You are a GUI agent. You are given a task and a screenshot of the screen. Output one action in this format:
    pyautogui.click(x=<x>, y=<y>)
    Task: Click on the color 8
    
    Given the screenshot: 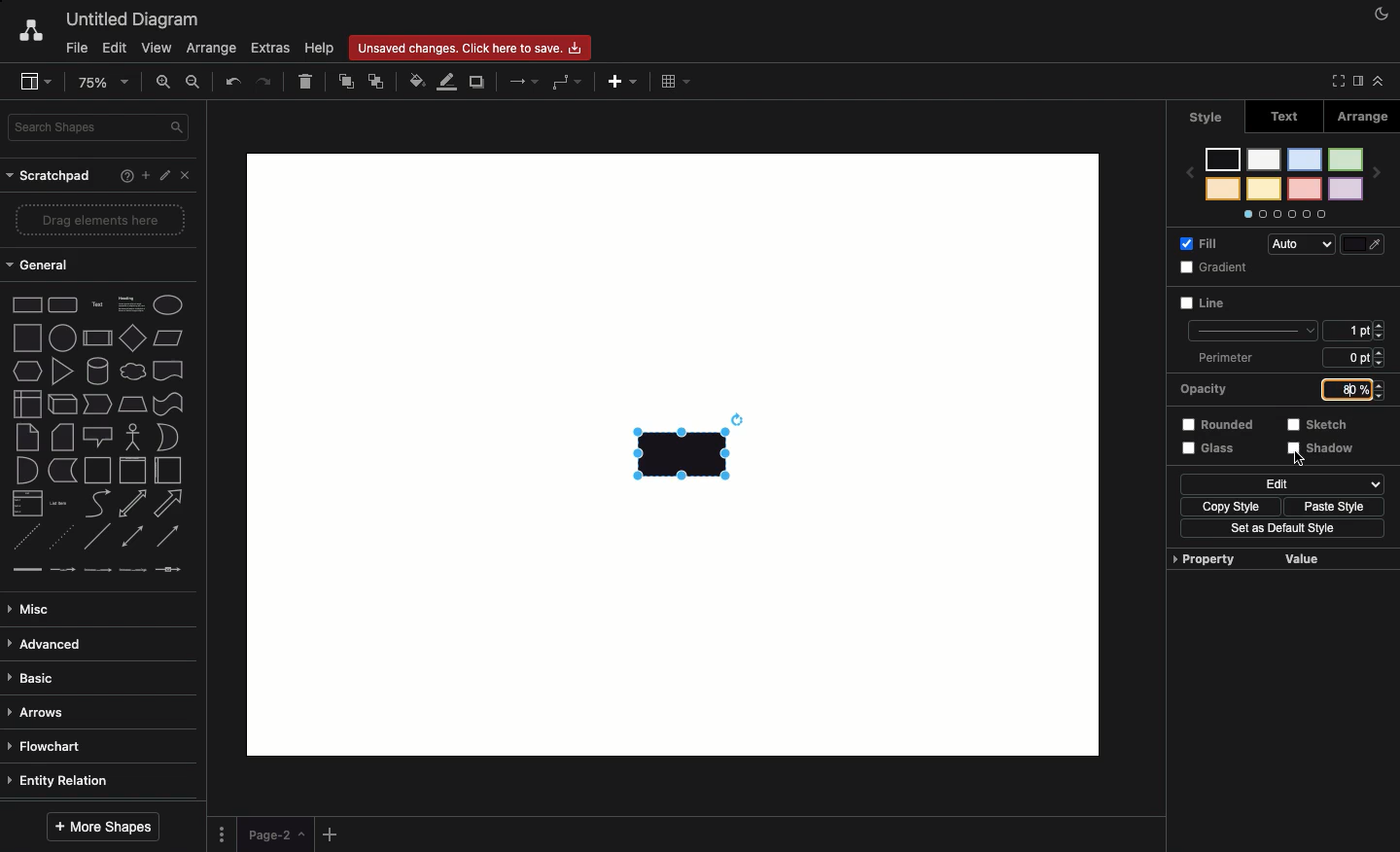 What is the action you would take?
    pyautogui.click(x=1222, y=189)
    